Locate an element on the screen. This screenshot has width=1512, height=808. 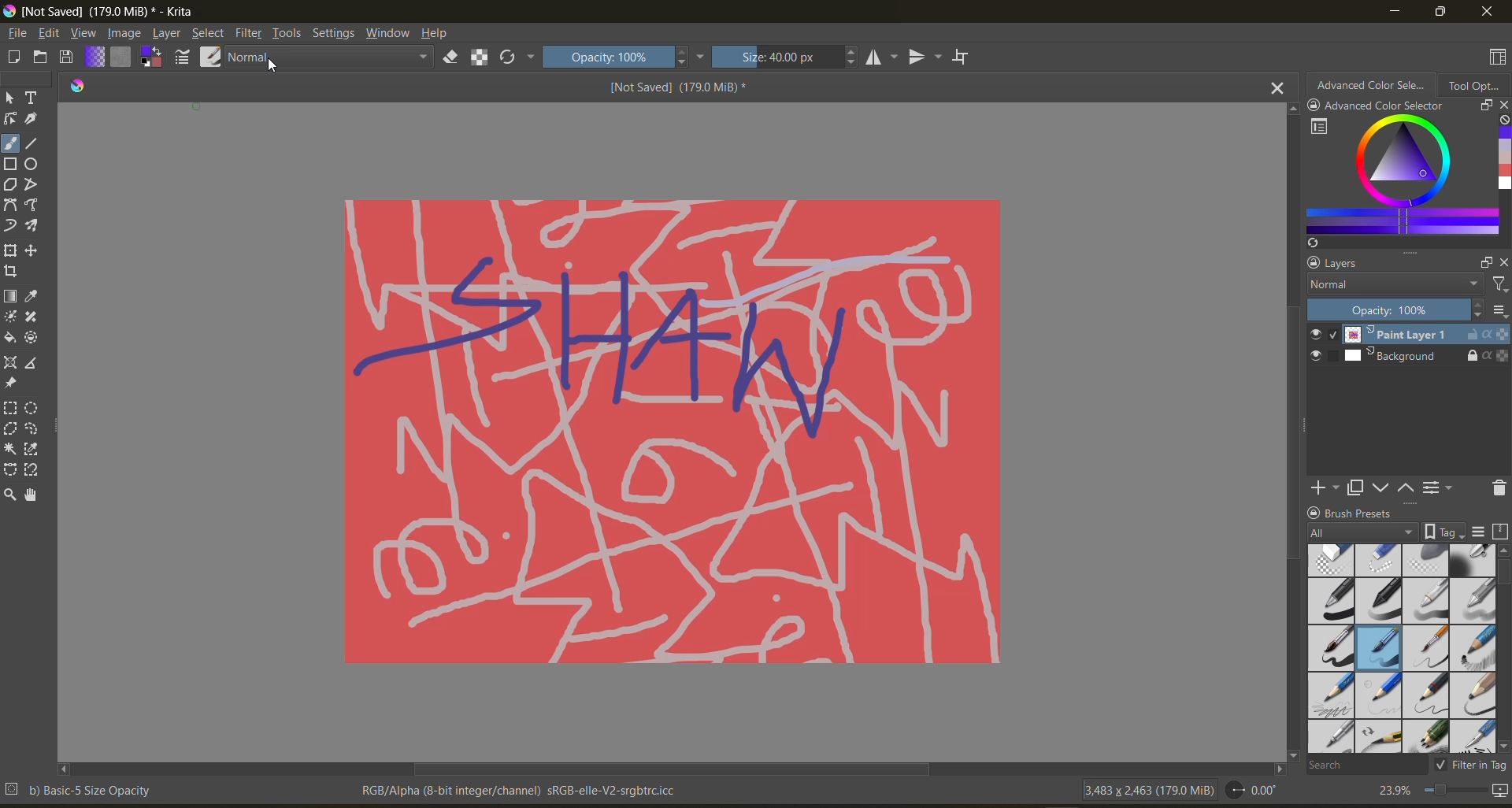
Measure the distance tool is located at coordinates (33, 361).